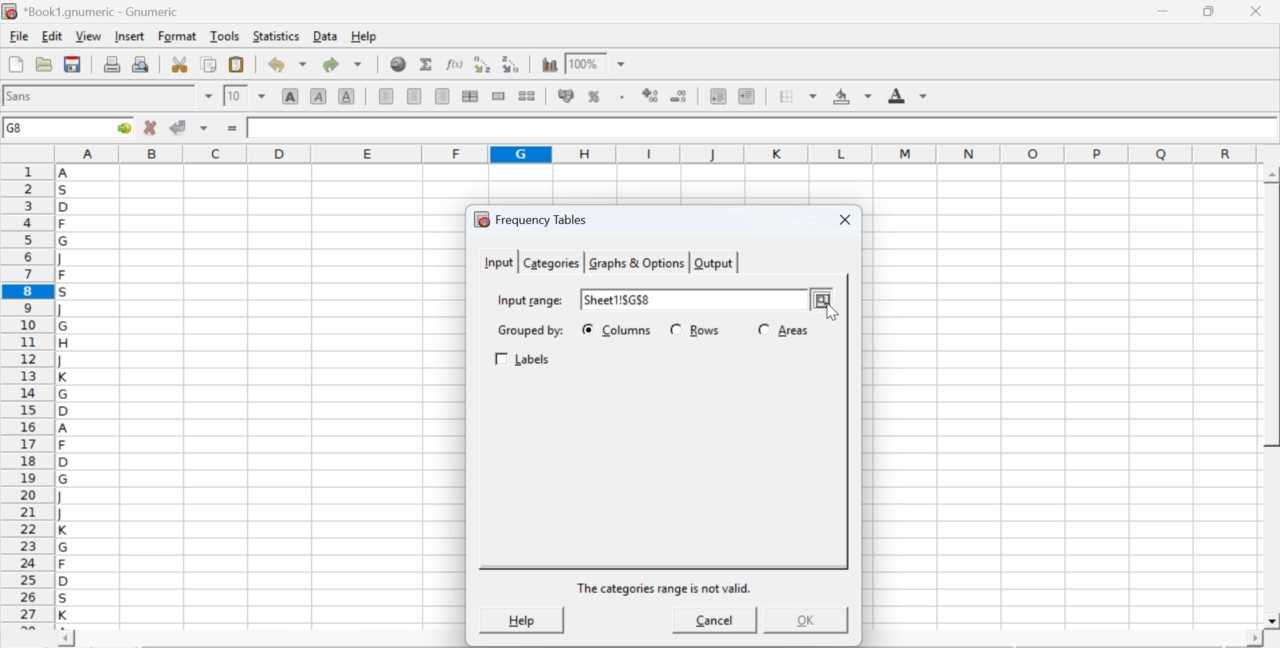  Describe the element at coordinates (178, 36) in the screenshot. I see `format` at that location.